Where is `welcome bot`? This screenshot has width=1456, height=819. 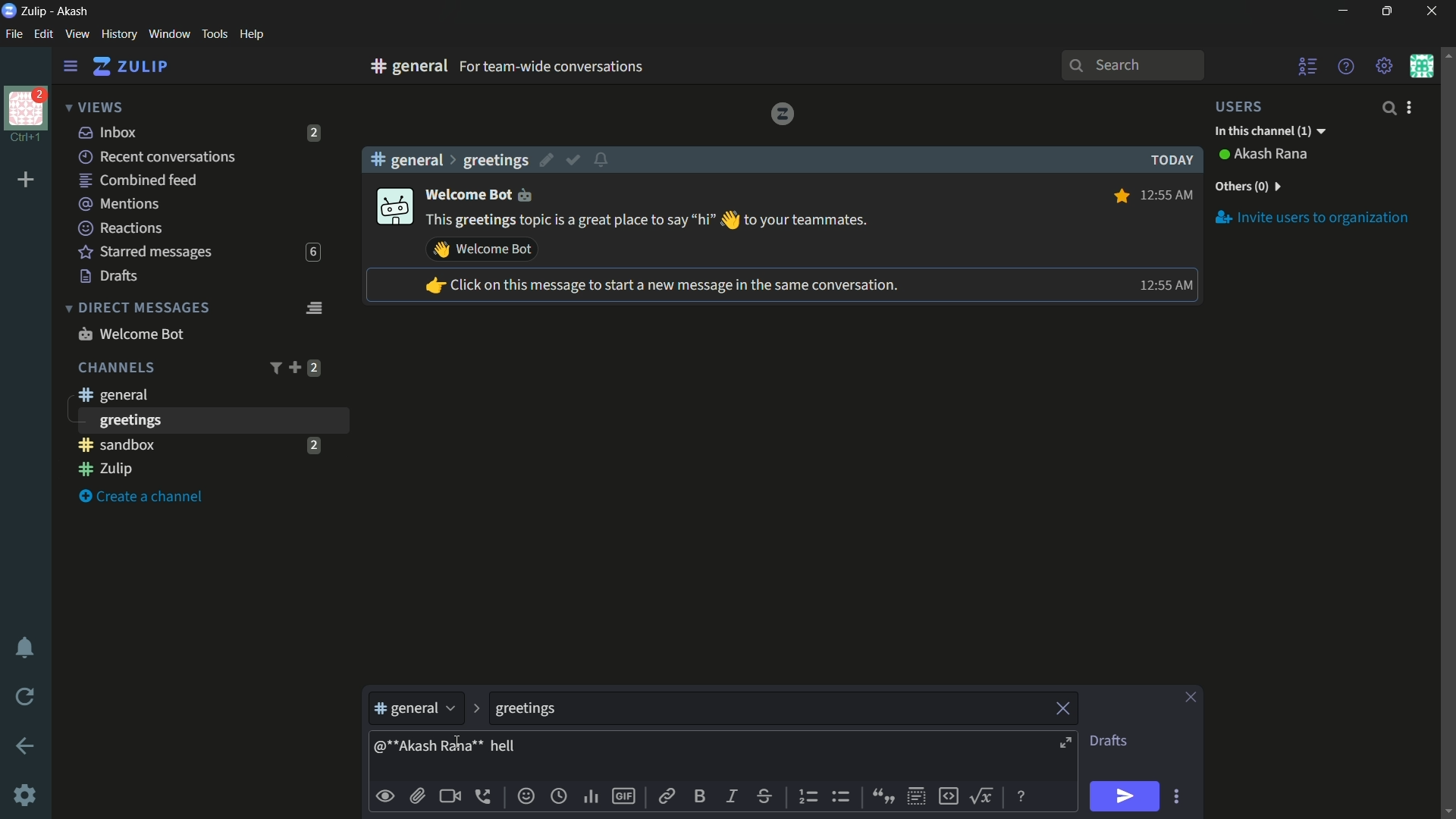 welcome bot is located at coordinates (130, 334).